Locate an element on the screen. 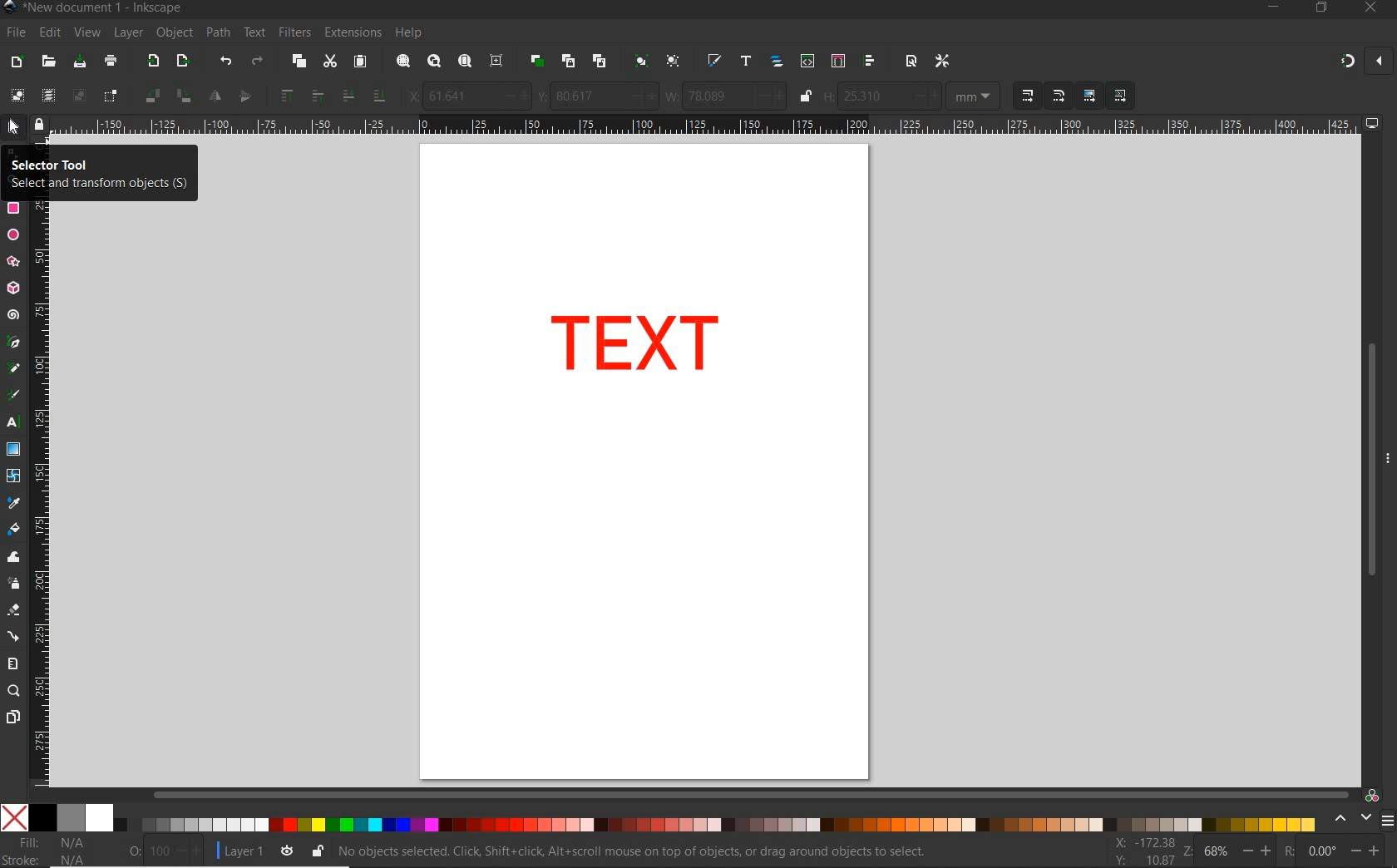  deselect is located at coordinates (77, 96).